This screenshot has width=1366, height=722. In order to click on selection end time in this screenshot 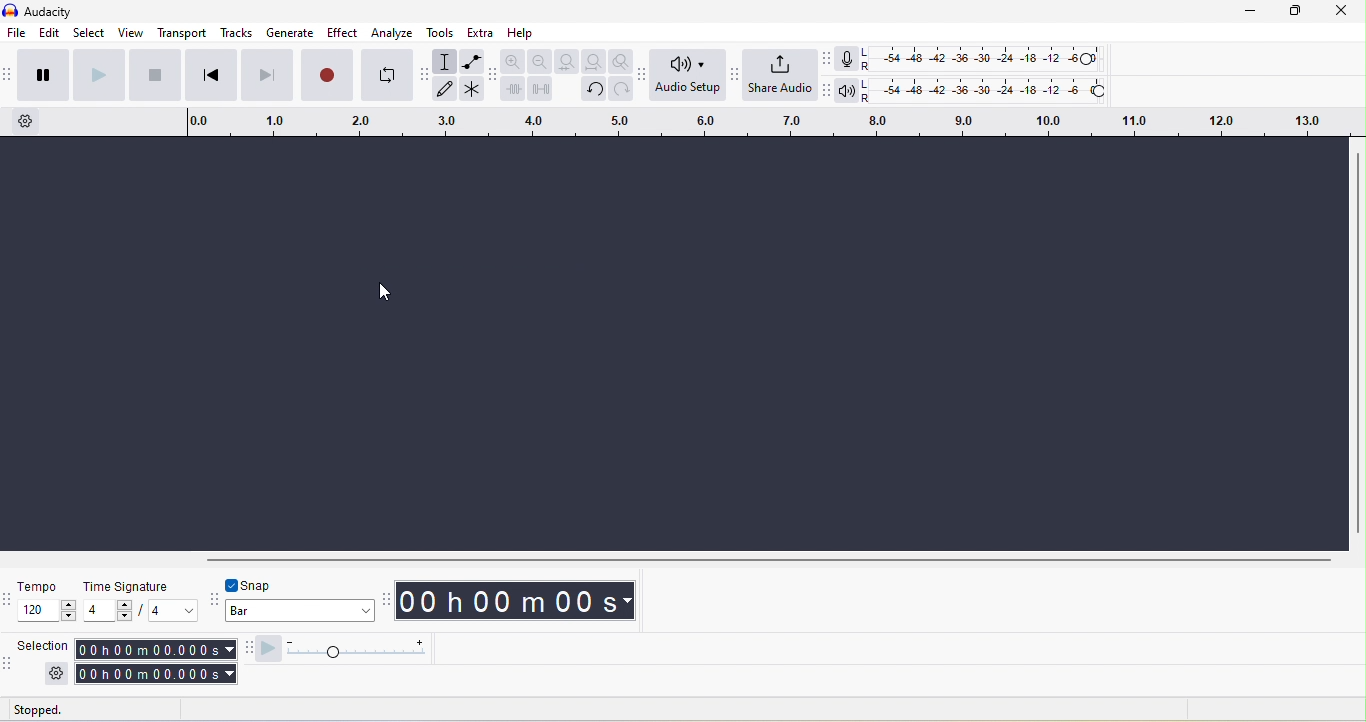, I will do `click(157, 674)`.